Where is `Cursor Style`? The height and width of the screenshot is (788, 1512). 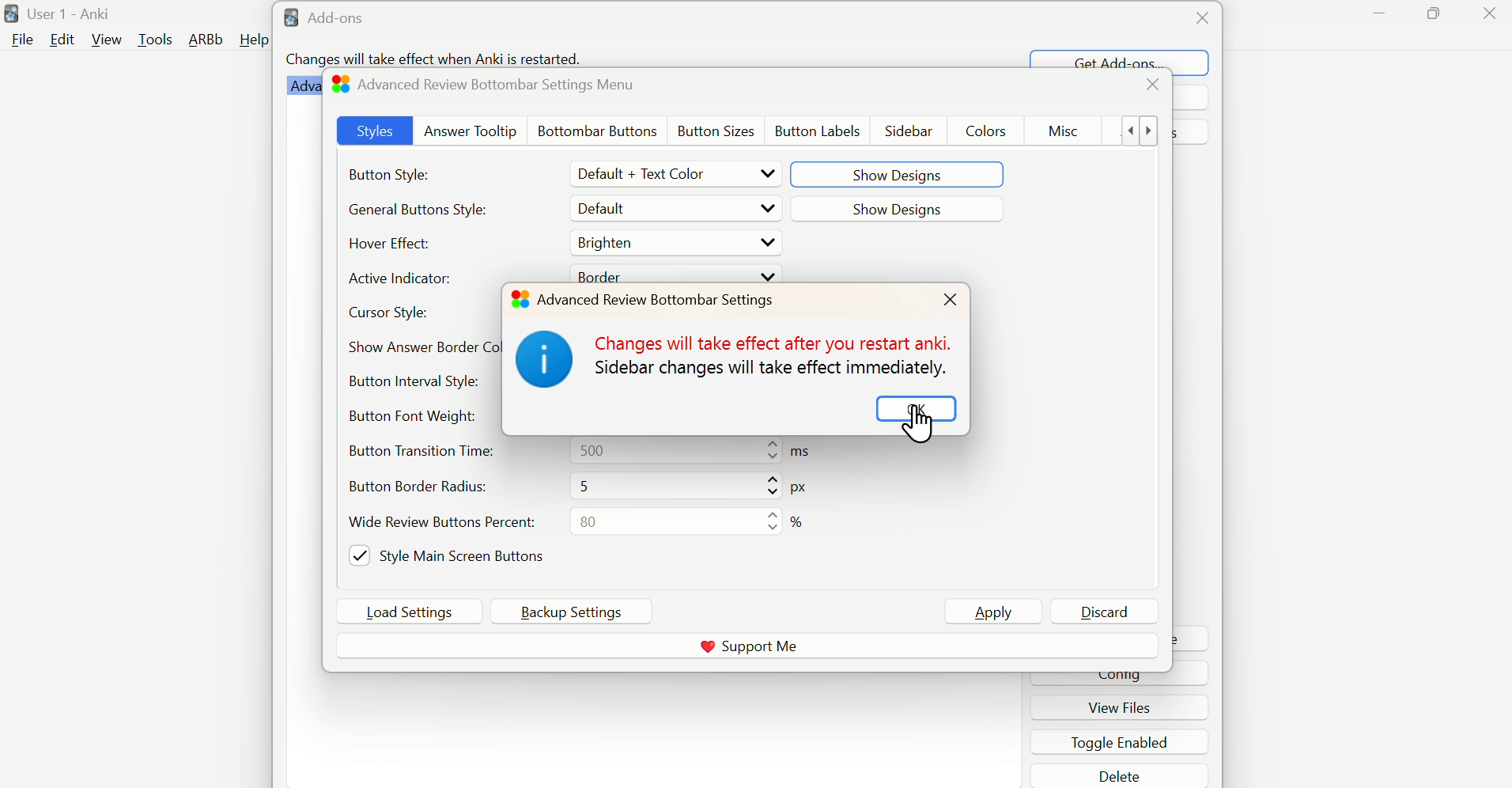 Cursor Style is located at coordinates (387, 314).